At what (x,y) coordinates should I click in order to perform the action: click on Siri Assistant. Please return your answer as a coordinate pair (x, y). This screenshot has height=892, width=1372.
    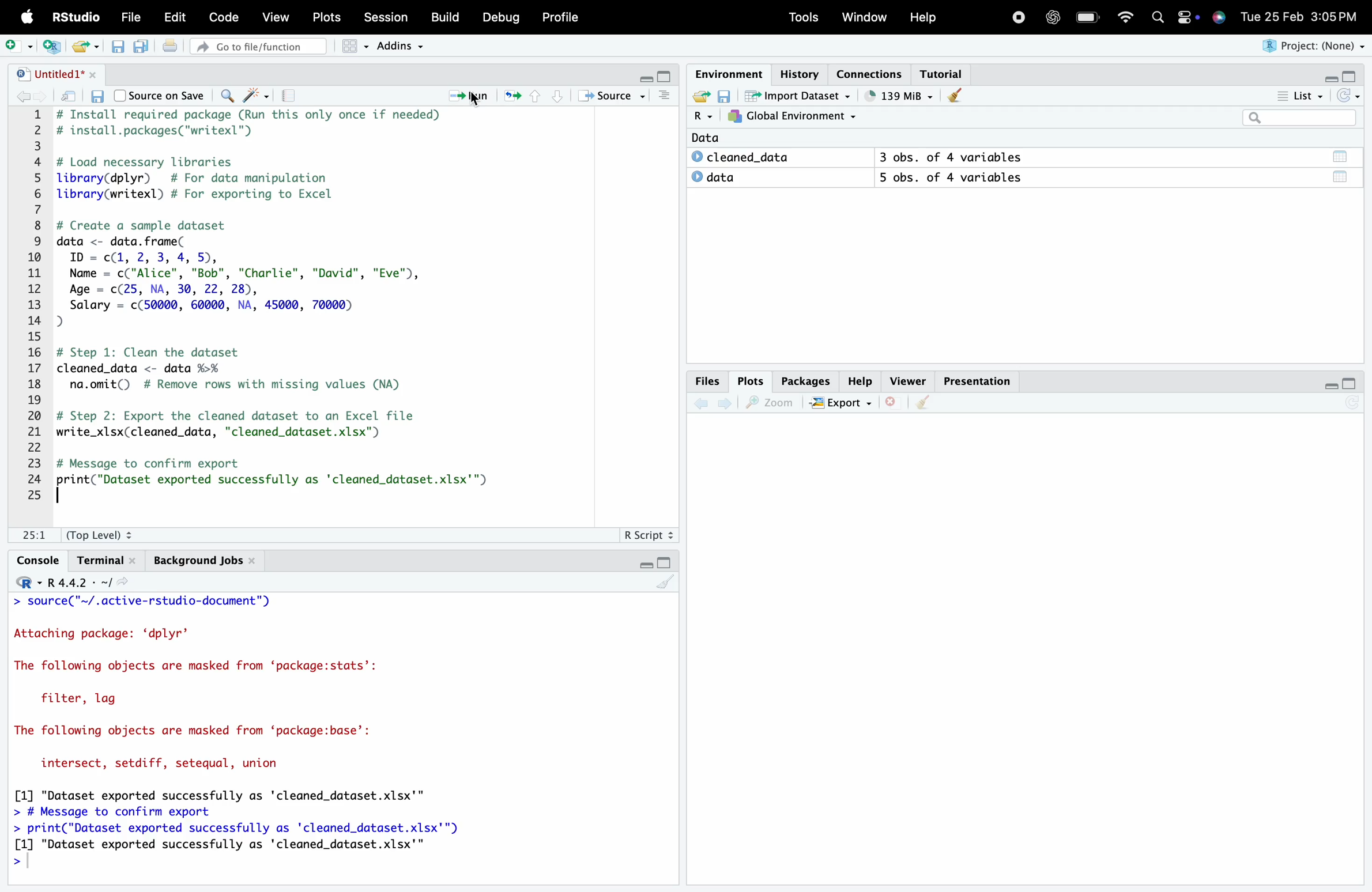
    Looking at the image, I should click on (1218, 19).